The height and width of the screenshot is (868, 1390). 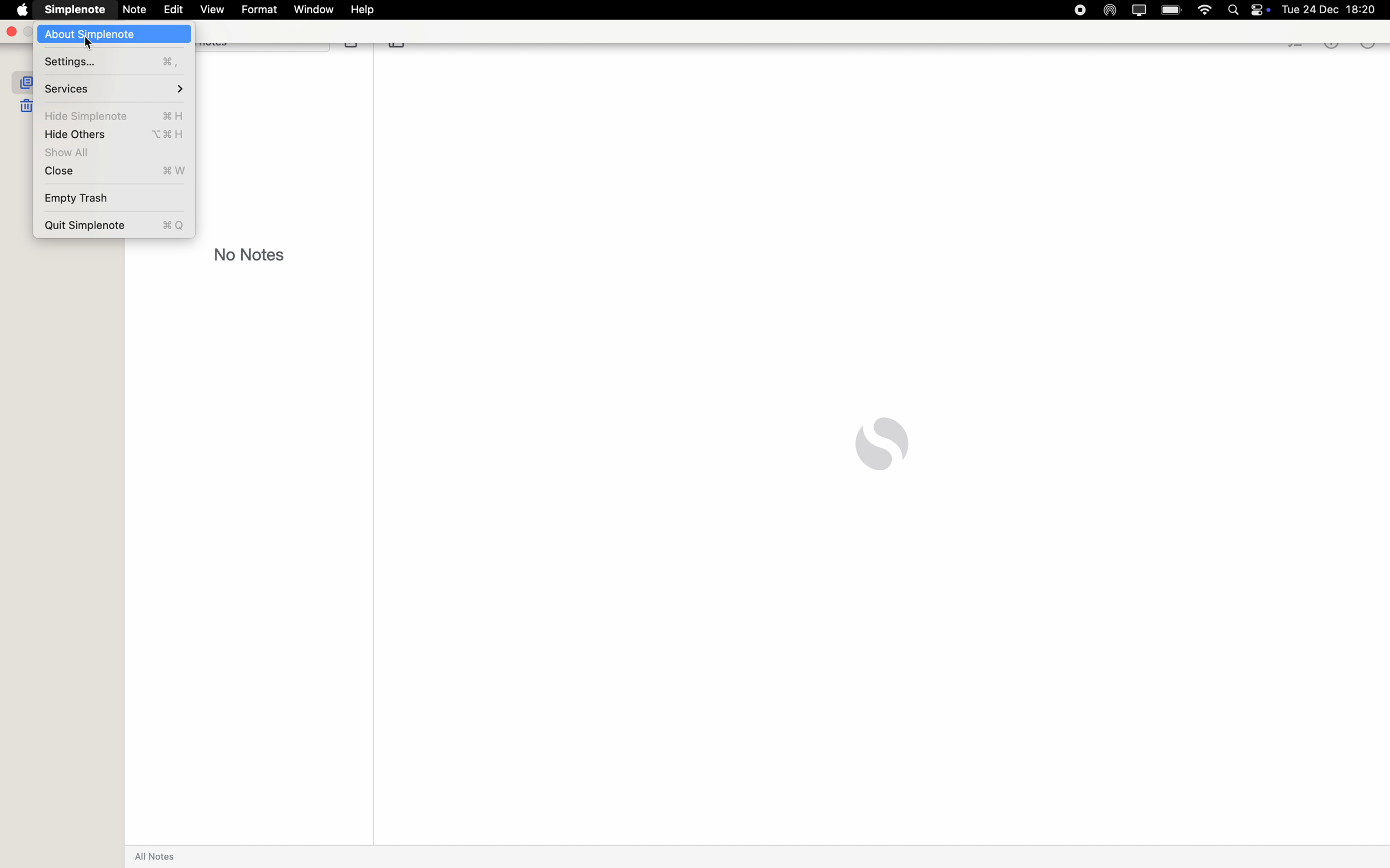 I want to click on format, so click(x=259, y=9).